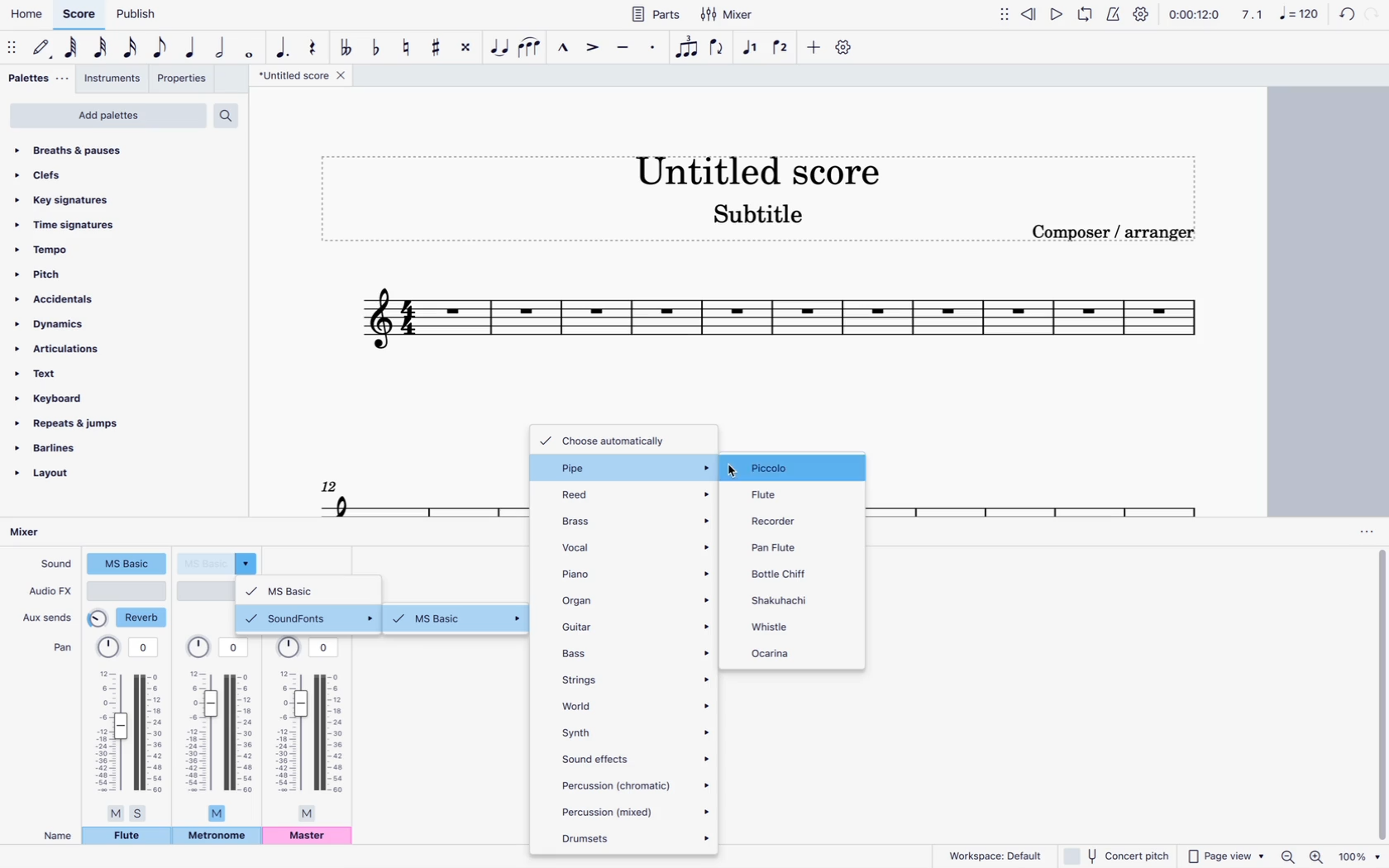 Image resolution: width=1389 pixels, height=868 pixels. Describe the element at coordinates (500, 49) in the screenshot. I see `tie` at that location.